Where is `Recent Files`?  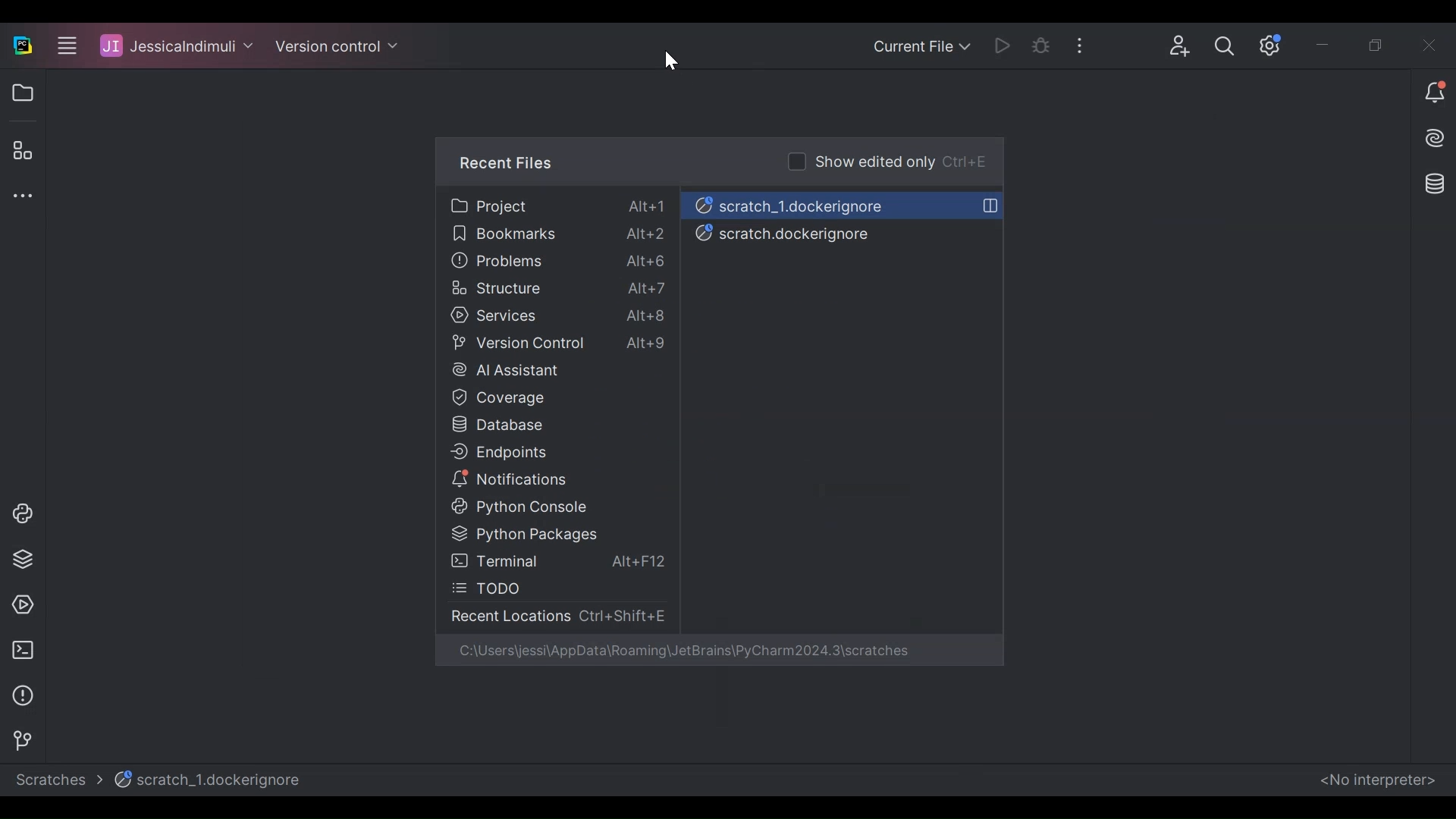 Recent Files is located at coordinates (508, 163).